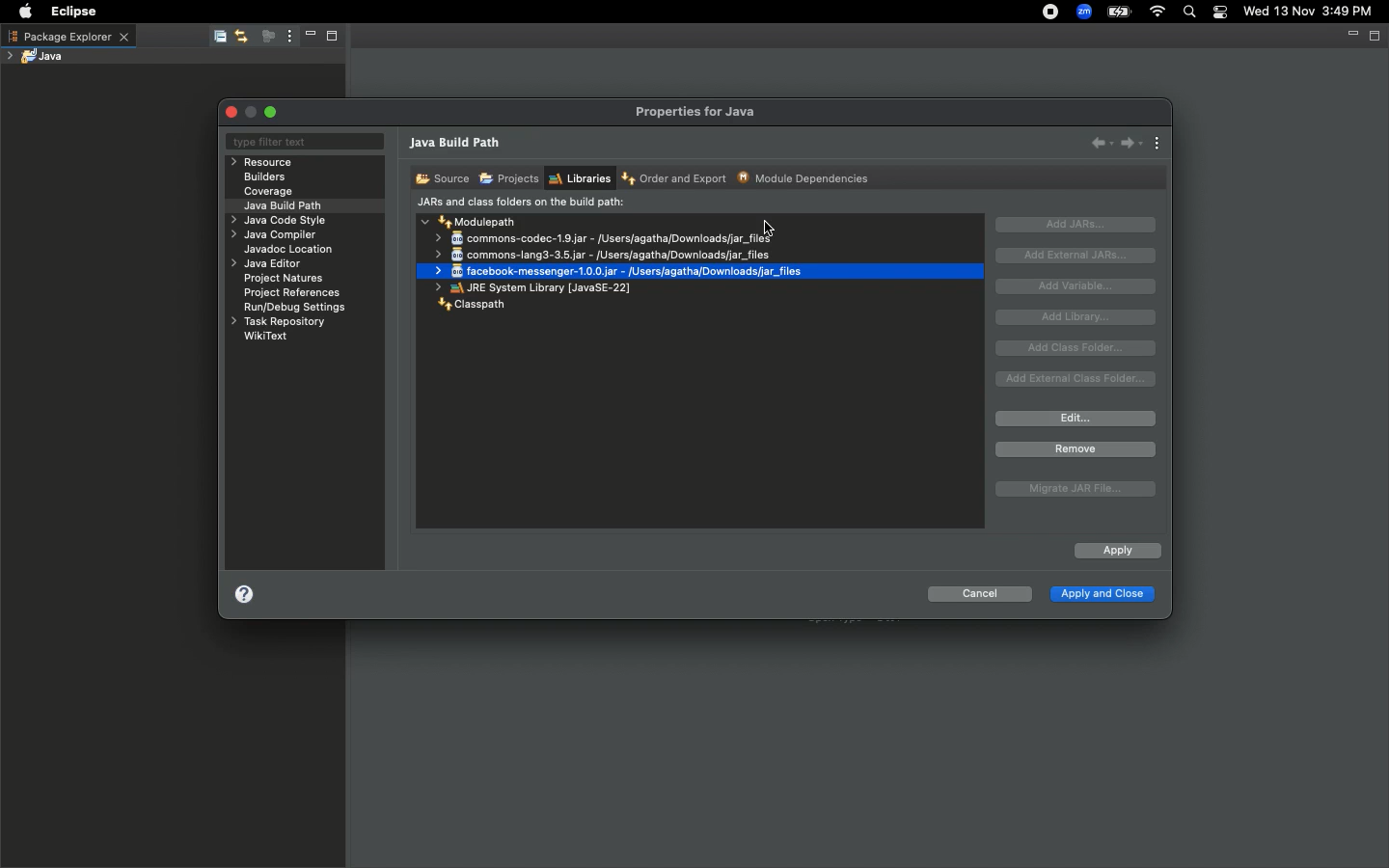 The width and height of the screenshot is (1389, 868). What do you see at coordinates (1309, 10) in the screenshot?
I see `Wed 13 Nov 3:49 PM` at bounding box center [1309, 10].